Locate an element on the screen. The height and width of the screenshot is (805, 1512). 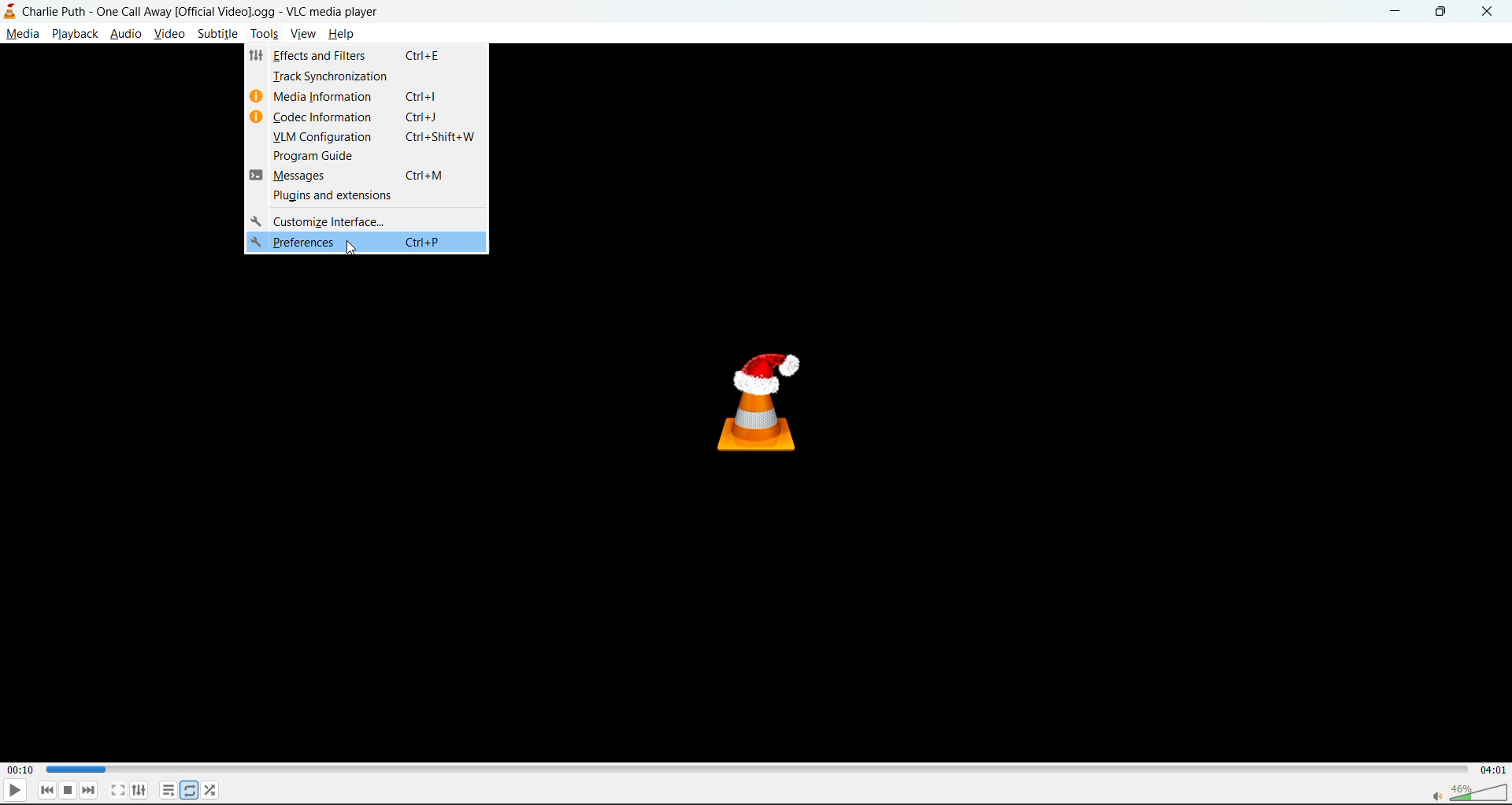
Charlie Puth - One Call Away [Official Video].ogg - VLC media player is located at coordinates (198, 11).